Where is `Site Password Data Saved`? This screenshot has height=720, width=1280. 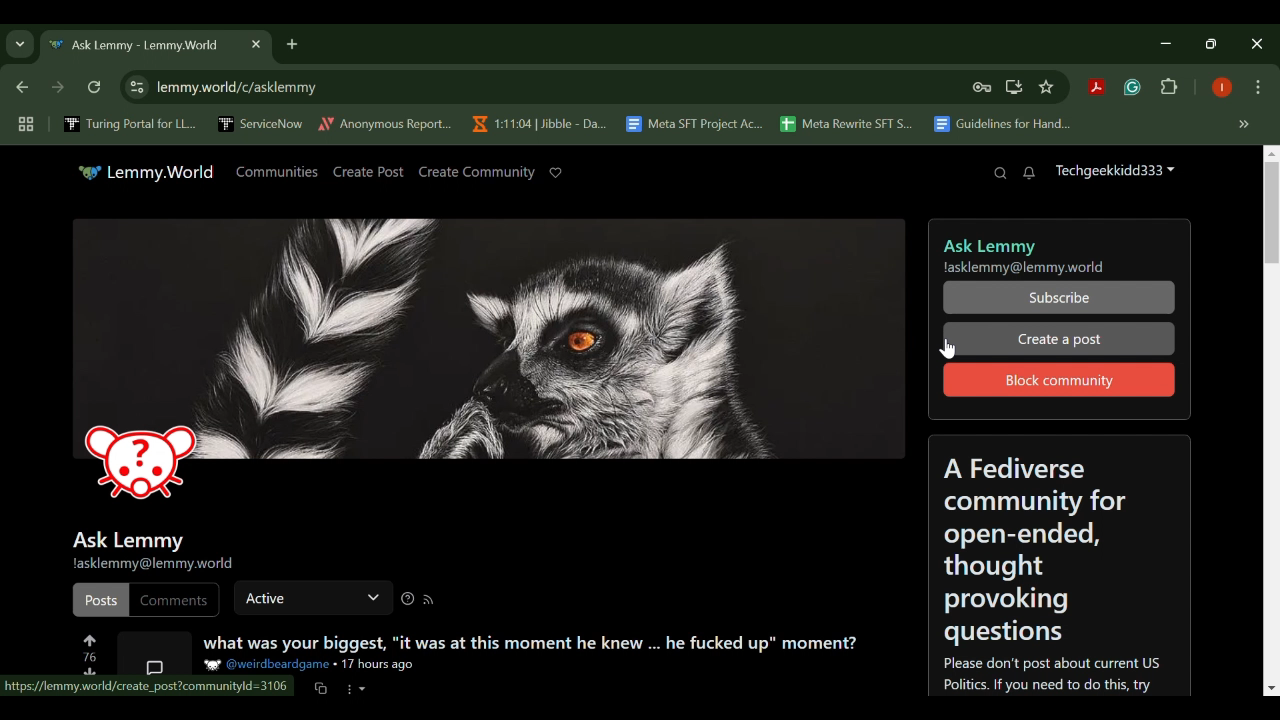
Site Password Data Saved is located at coordinates (982, 88).